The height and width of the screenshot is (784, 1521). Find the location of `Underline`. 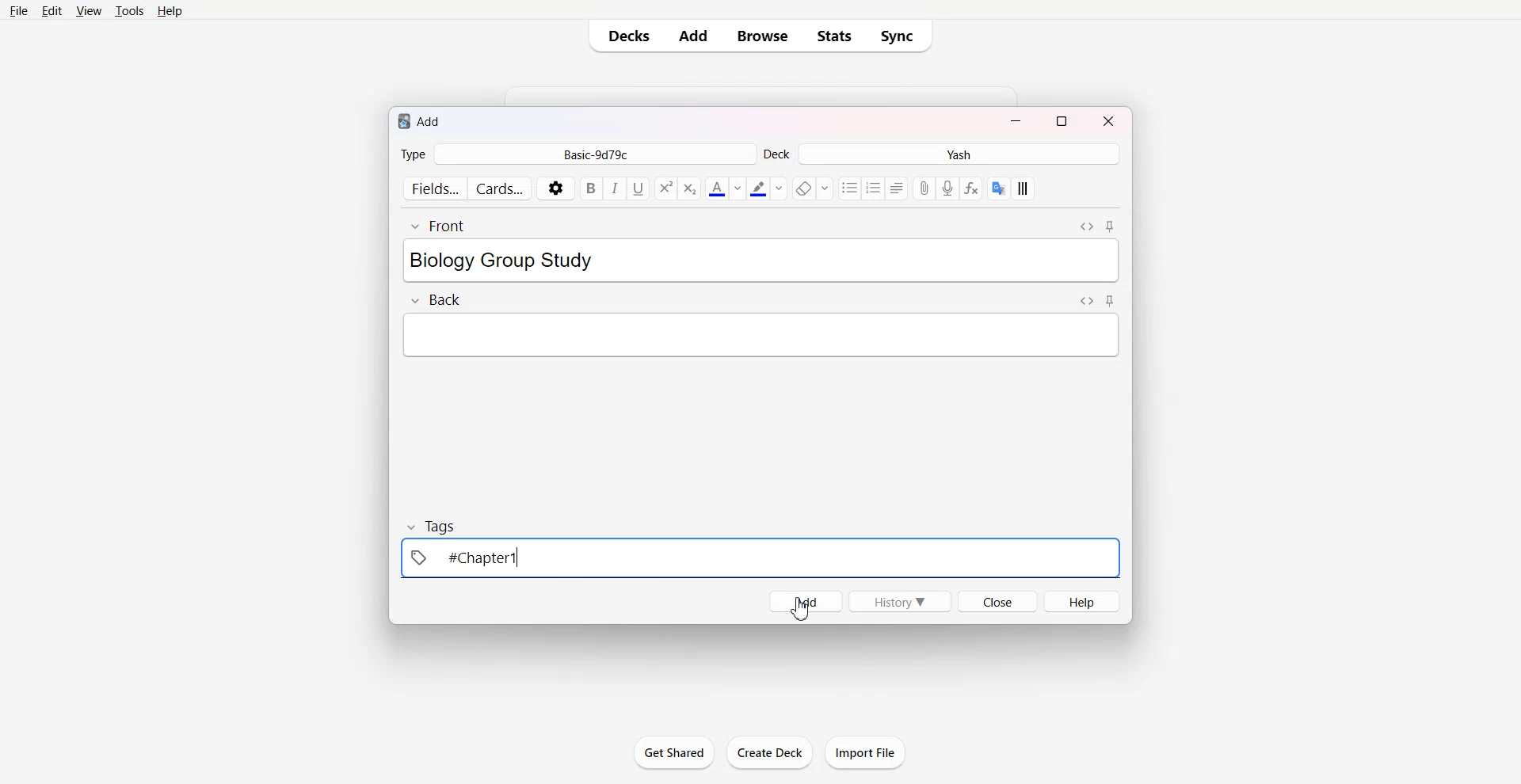

Underline is located at coordinates (639, 189).